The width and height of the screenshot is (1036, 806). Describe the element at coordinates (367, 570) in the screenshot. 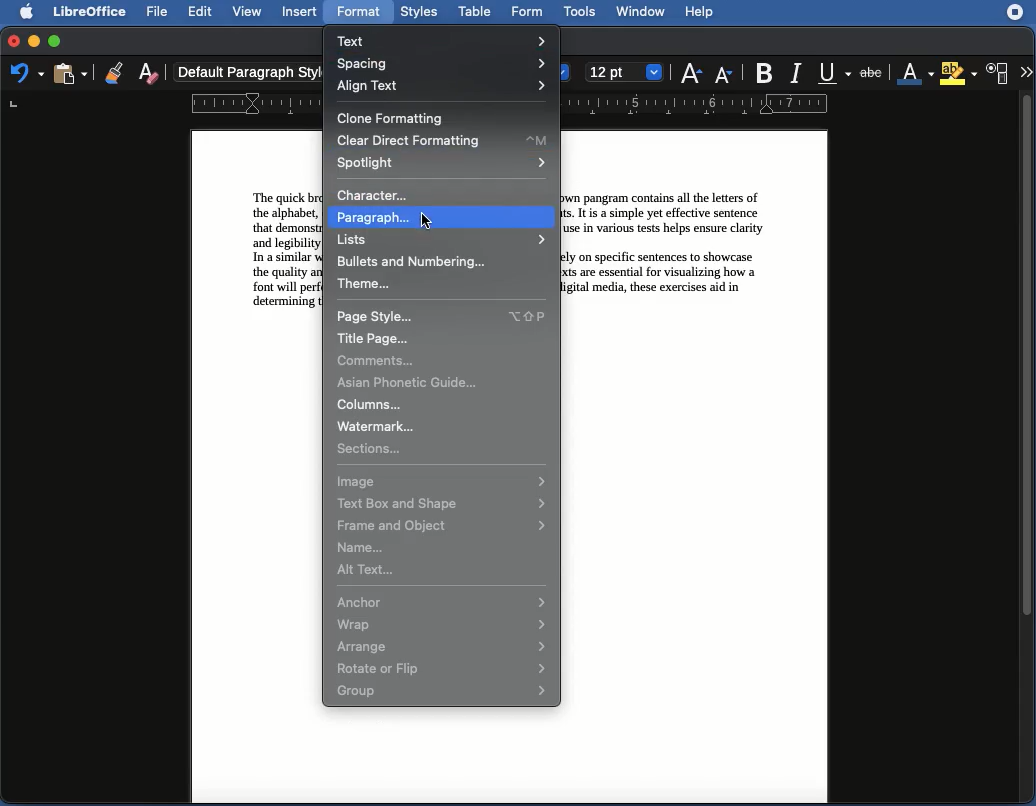

I see `Alt text` at that location.